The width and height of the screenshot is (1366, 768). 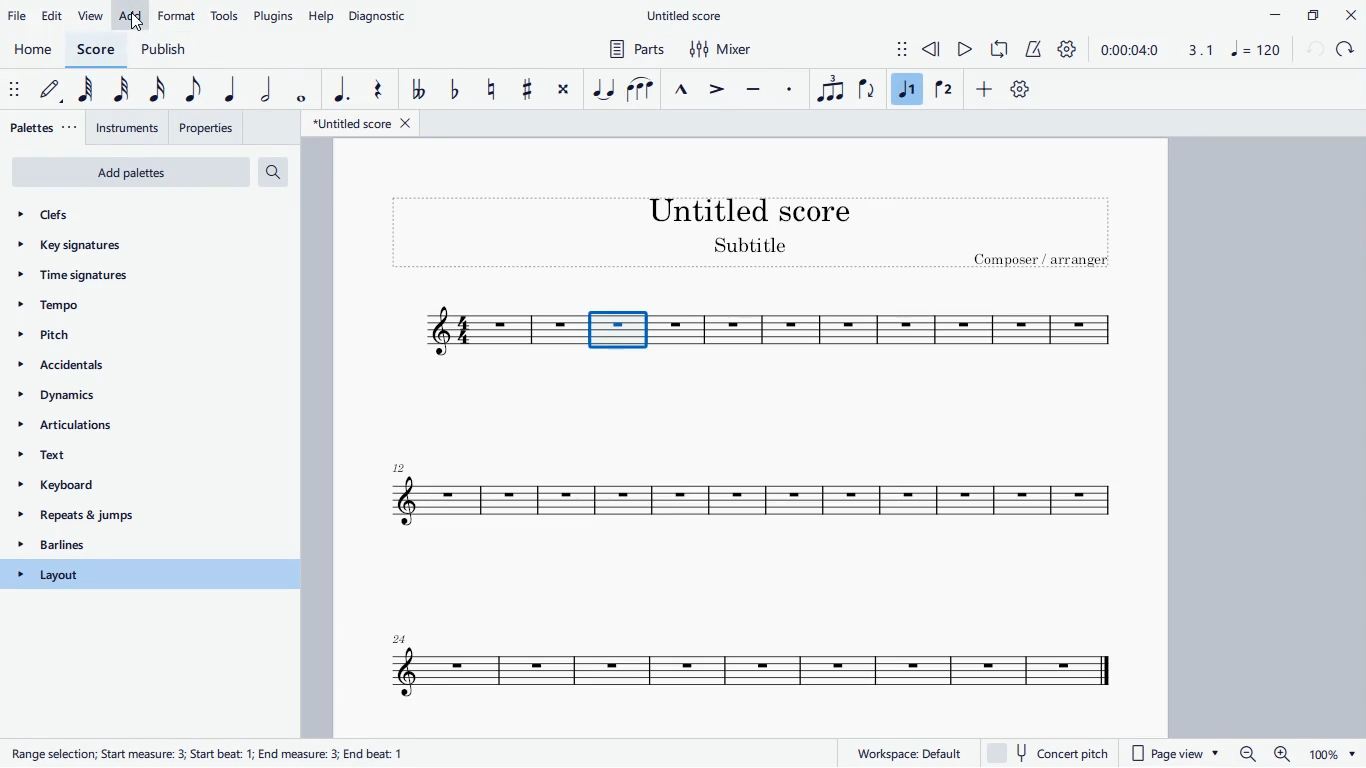 I want to click on score, so click(x=99, y=49).